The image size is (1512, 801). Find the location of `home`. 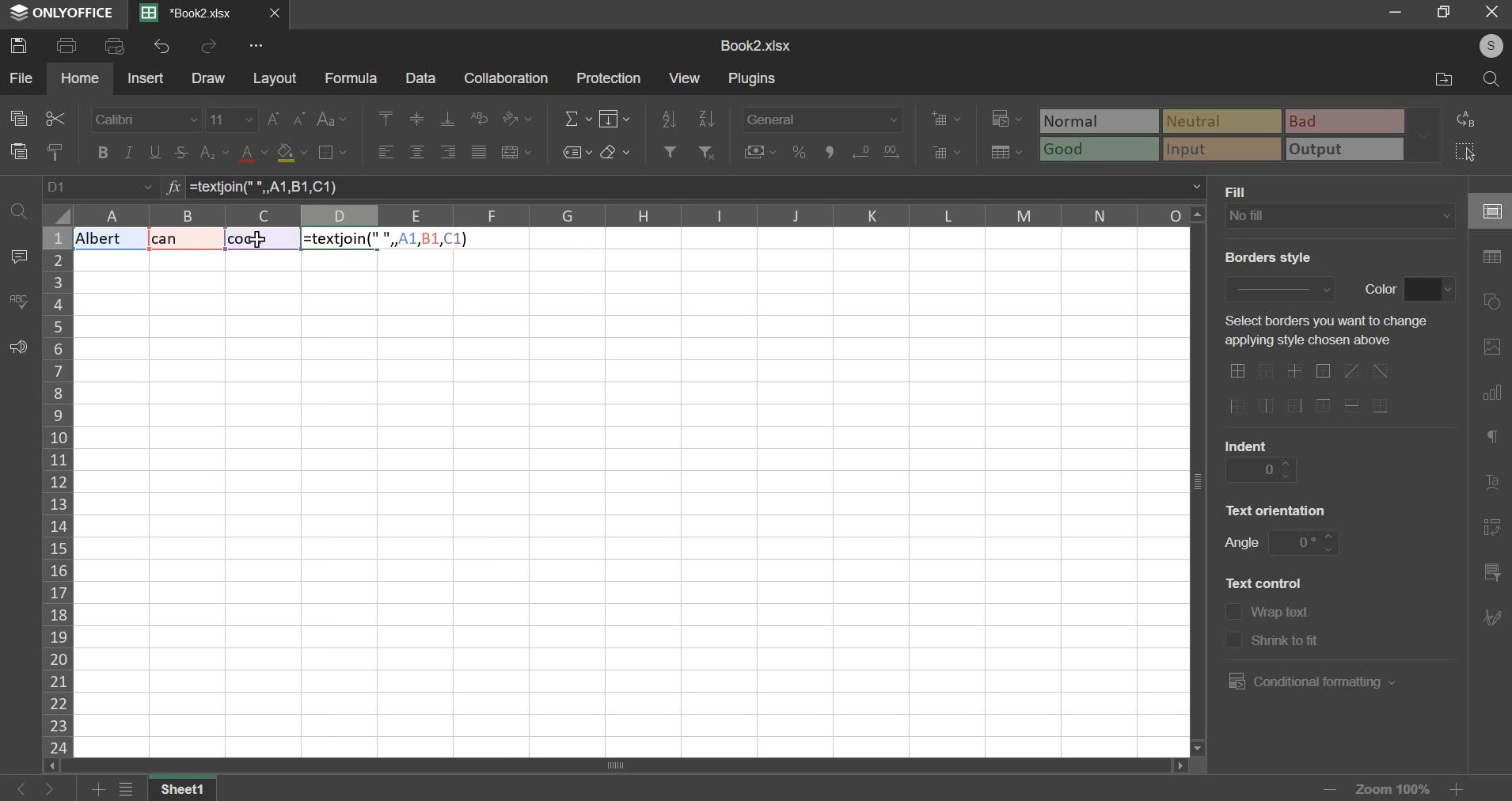

home is located at coordinates (81, 78).